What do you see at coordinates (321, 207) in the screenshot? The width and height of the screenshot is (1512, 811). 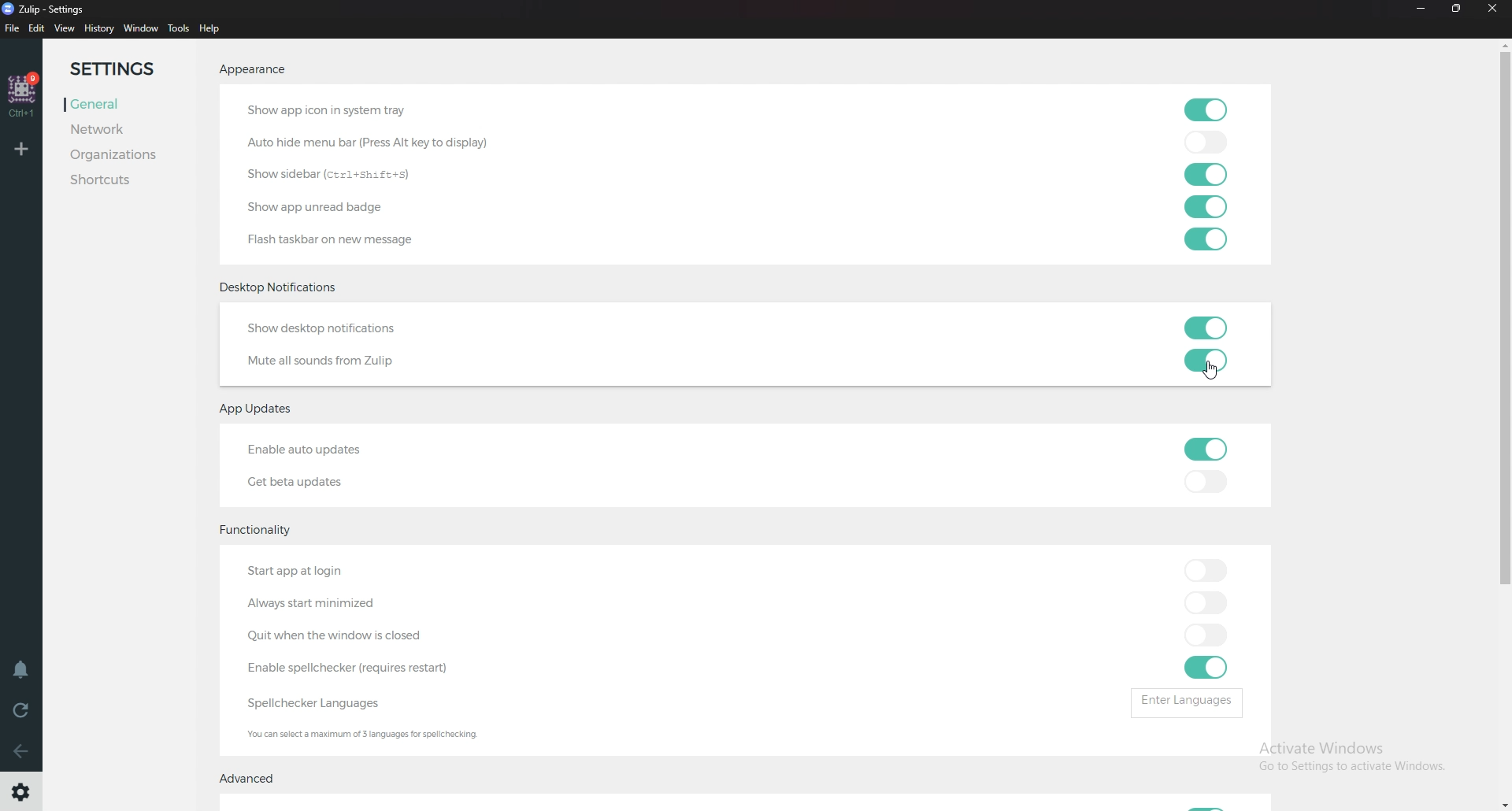 I see `show app on read badge` at bounding box center [321, 207].